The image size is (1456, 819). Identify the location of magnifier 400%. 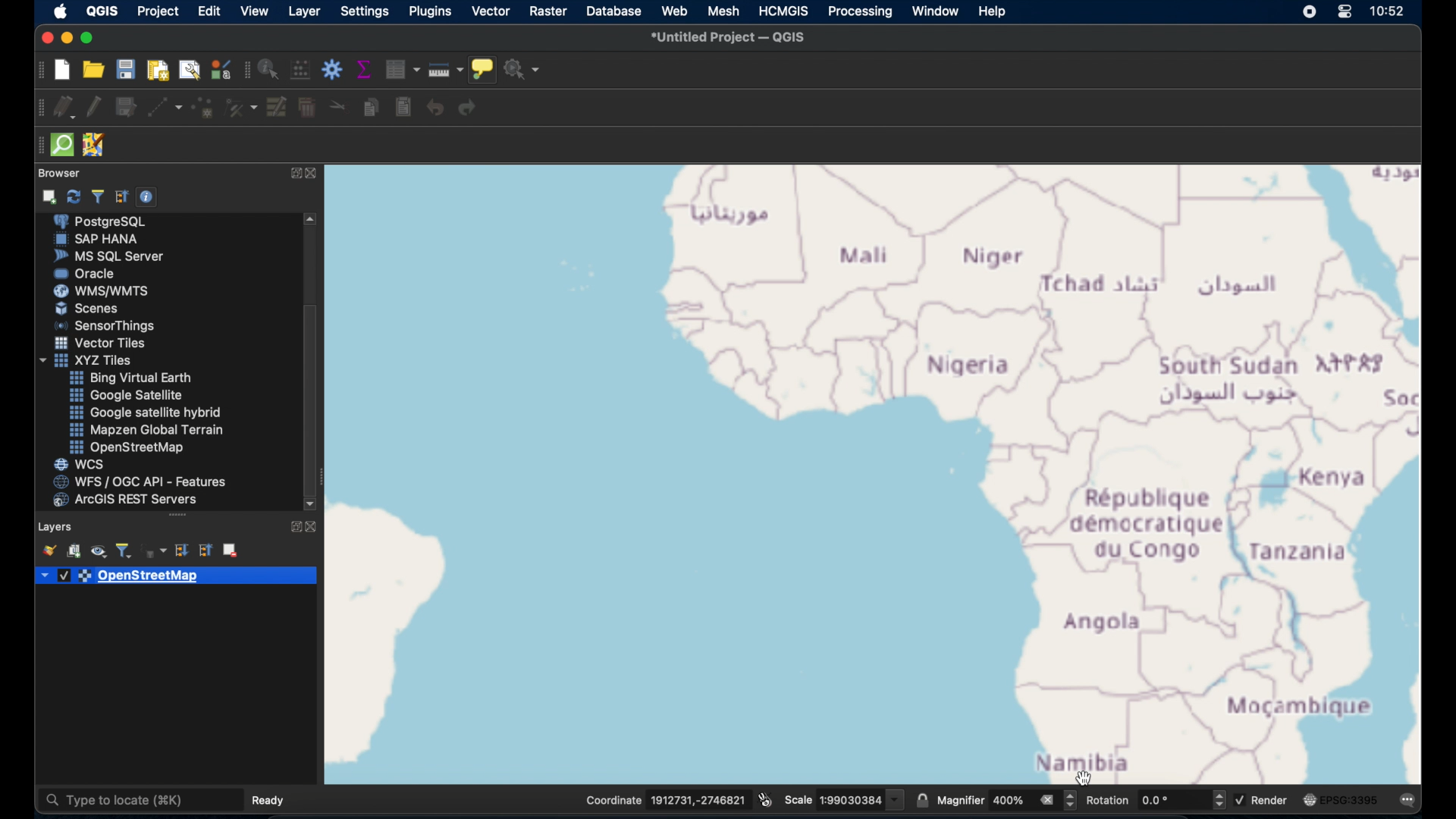
(1008, 798).